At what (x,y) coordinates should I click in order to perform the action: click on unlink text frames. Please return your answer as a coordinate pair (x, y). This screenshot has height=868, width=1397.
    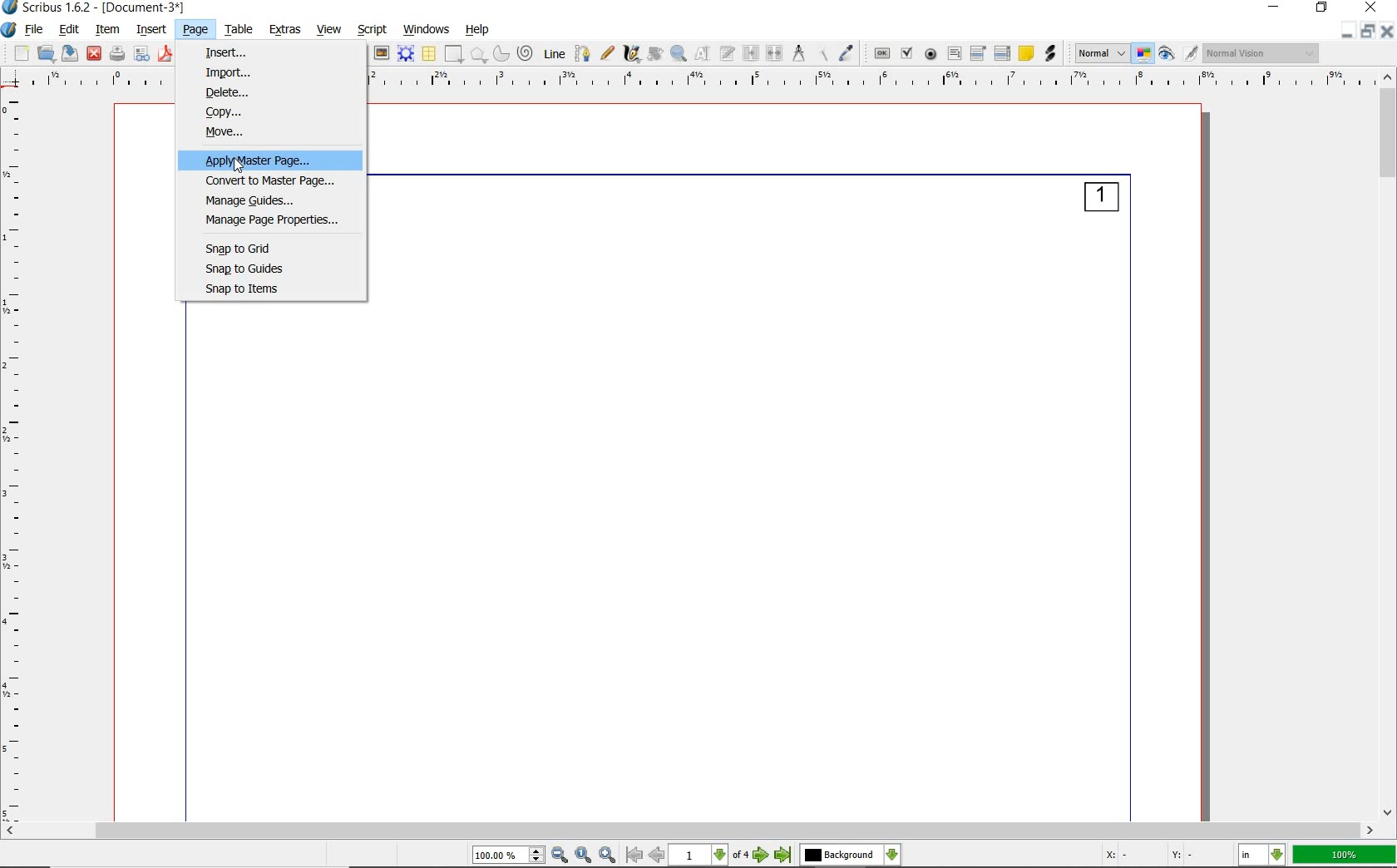
    Looking at the image, I should click on (775, 53).